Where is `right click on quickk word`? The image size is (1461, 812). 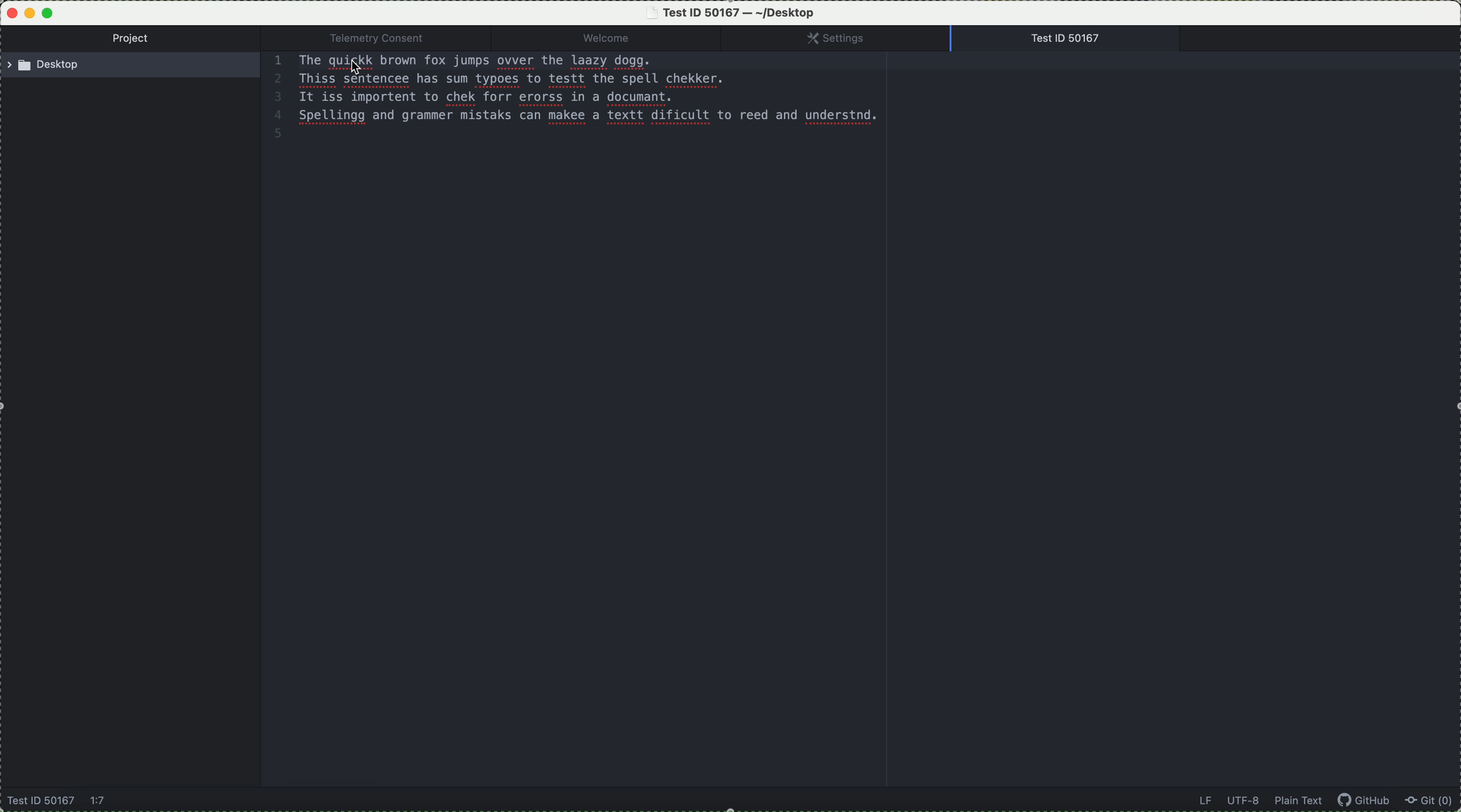 right click on quickk word is located at coordinates (351, 64).